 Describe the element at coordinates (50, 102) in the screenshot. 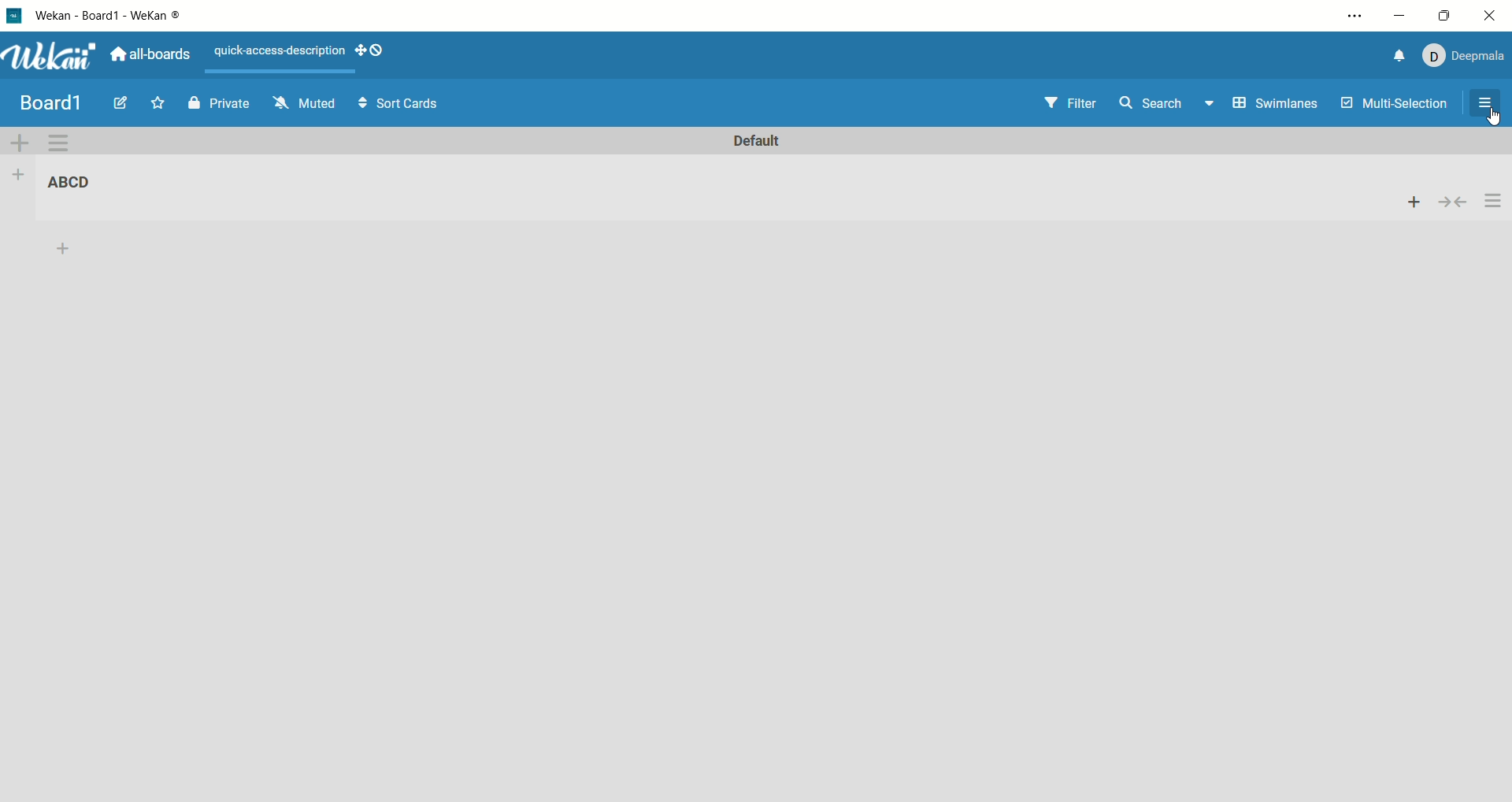

I see `title` at that location.